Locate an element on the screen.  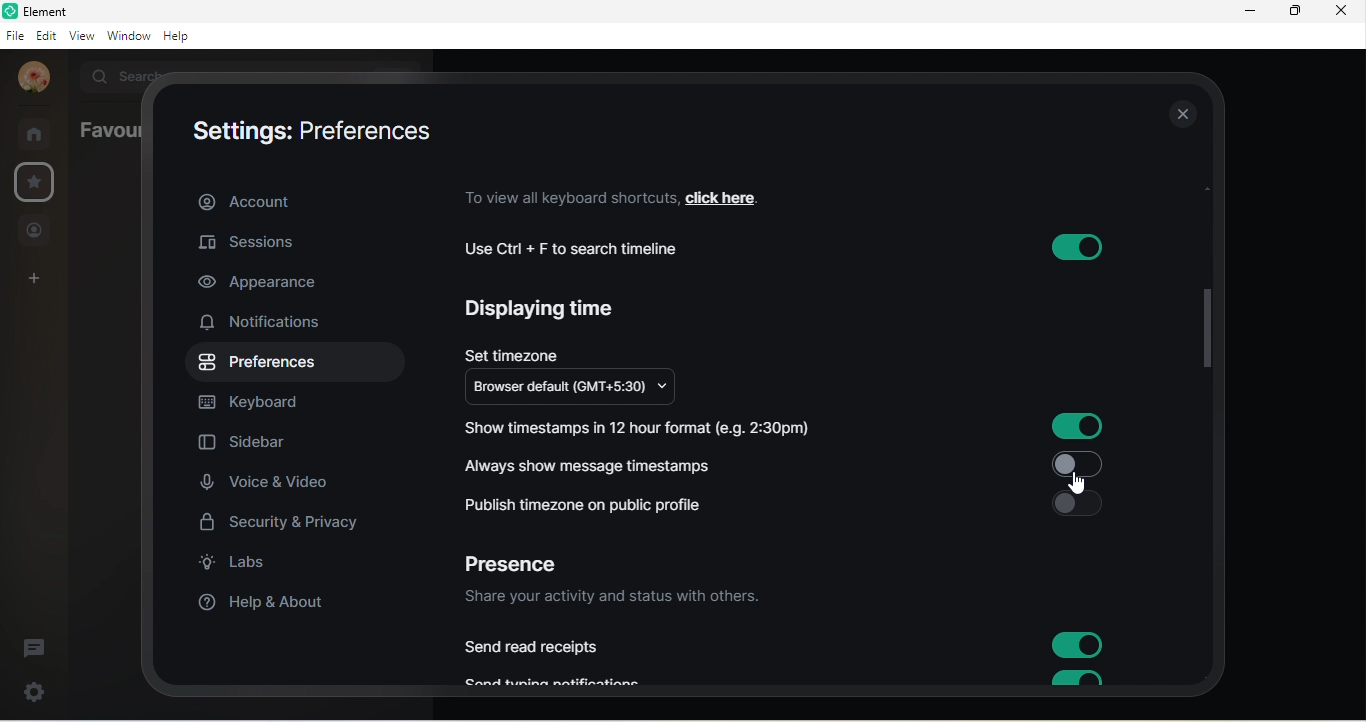
button is located at coordinates (1078, 646).